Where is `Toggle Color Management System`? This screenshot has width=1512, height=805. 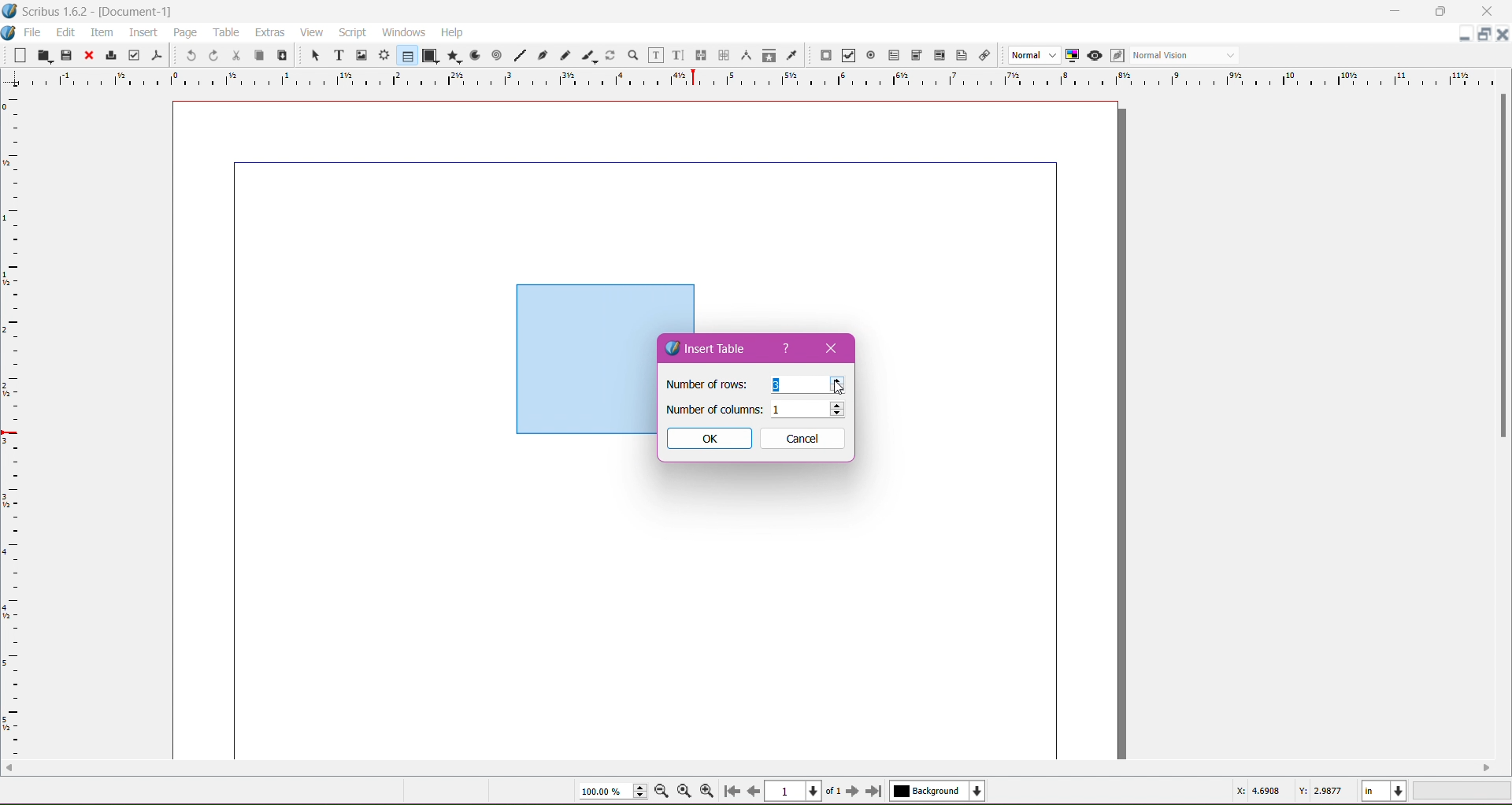
Toggle Color Management System is located at coordinates (1070, 54).